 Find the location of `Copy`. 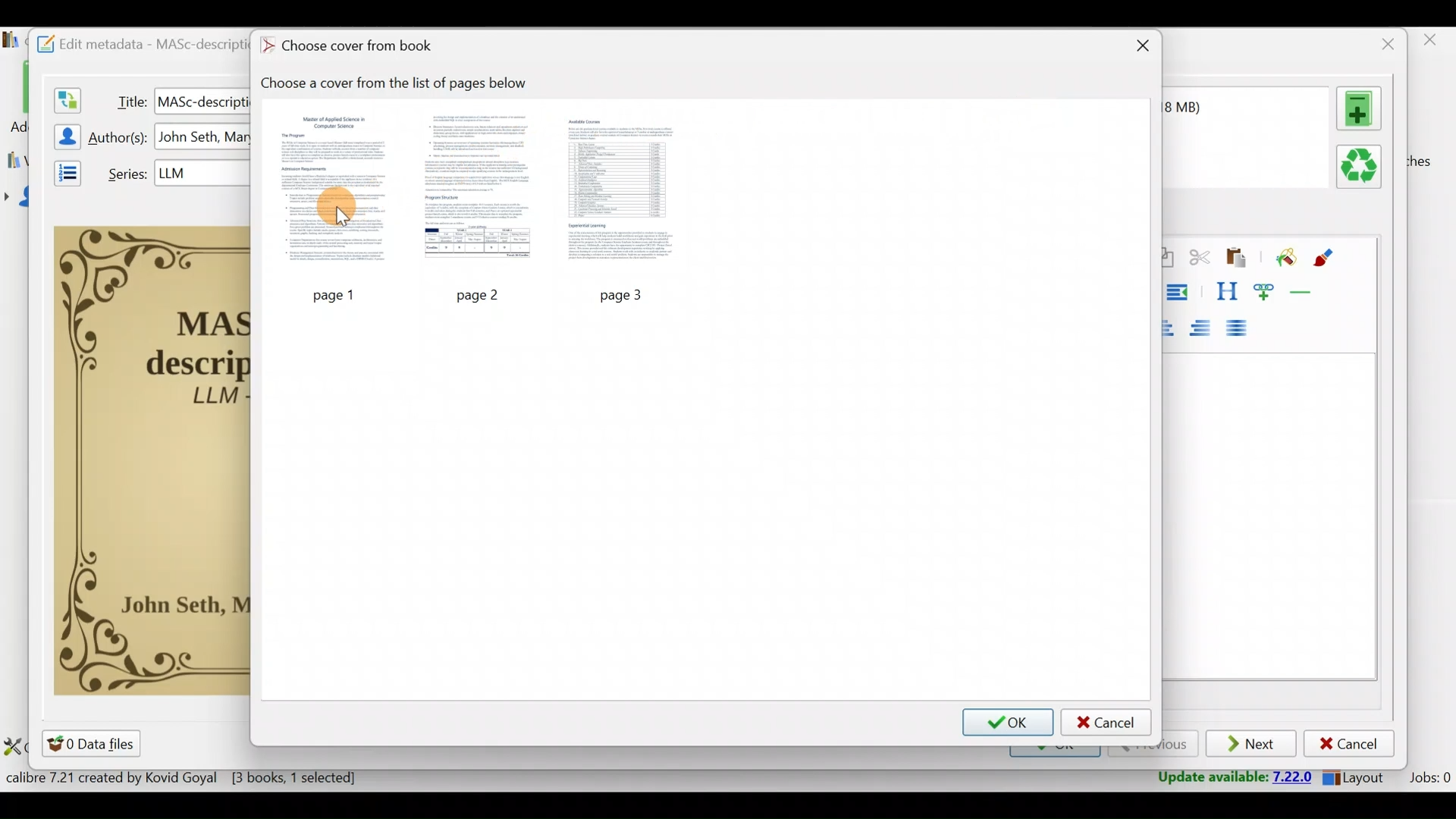

Copy is located at coordinates (1167, 259).